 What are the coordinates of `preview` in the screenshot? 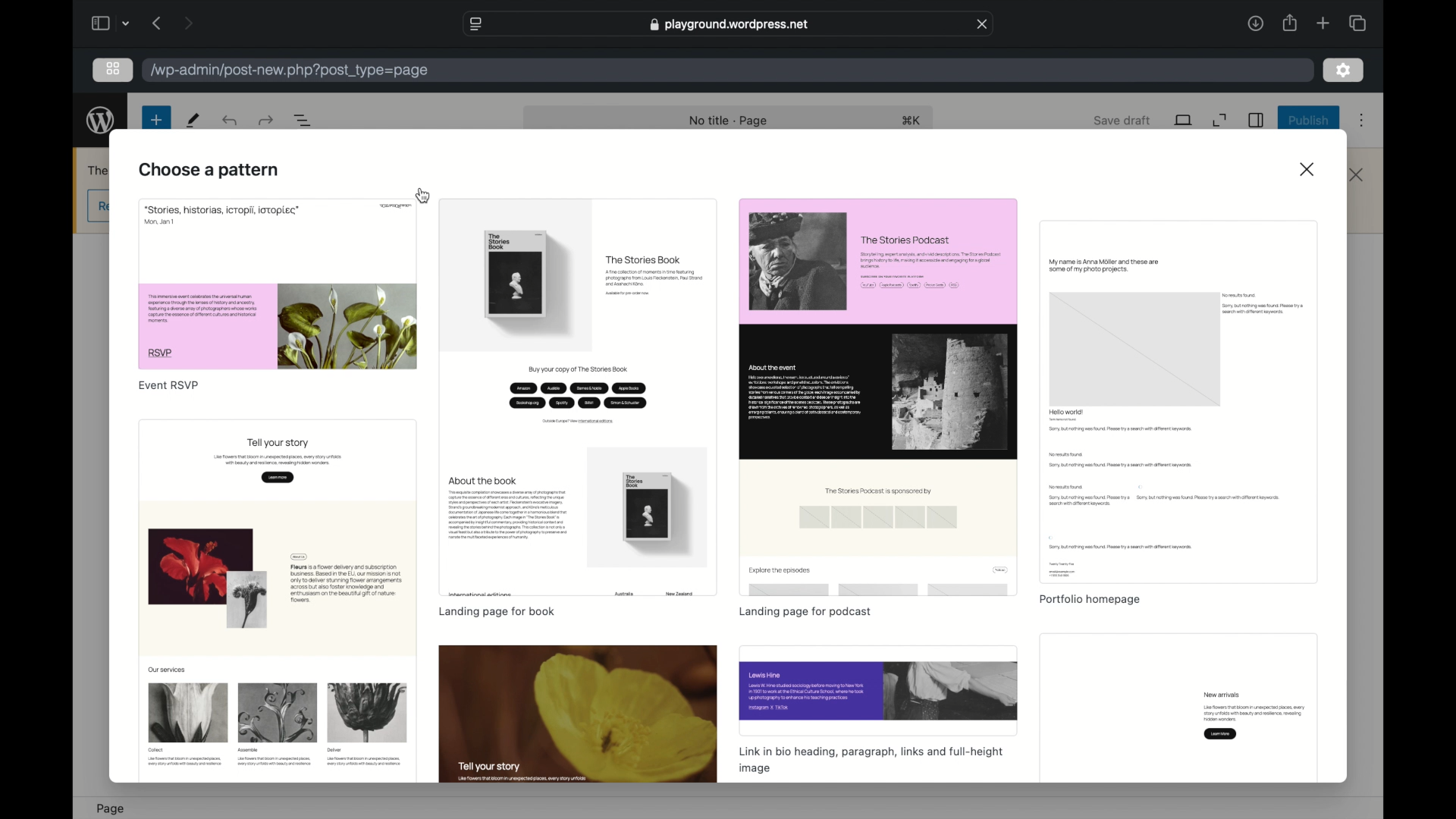 It's located at (579, 714).